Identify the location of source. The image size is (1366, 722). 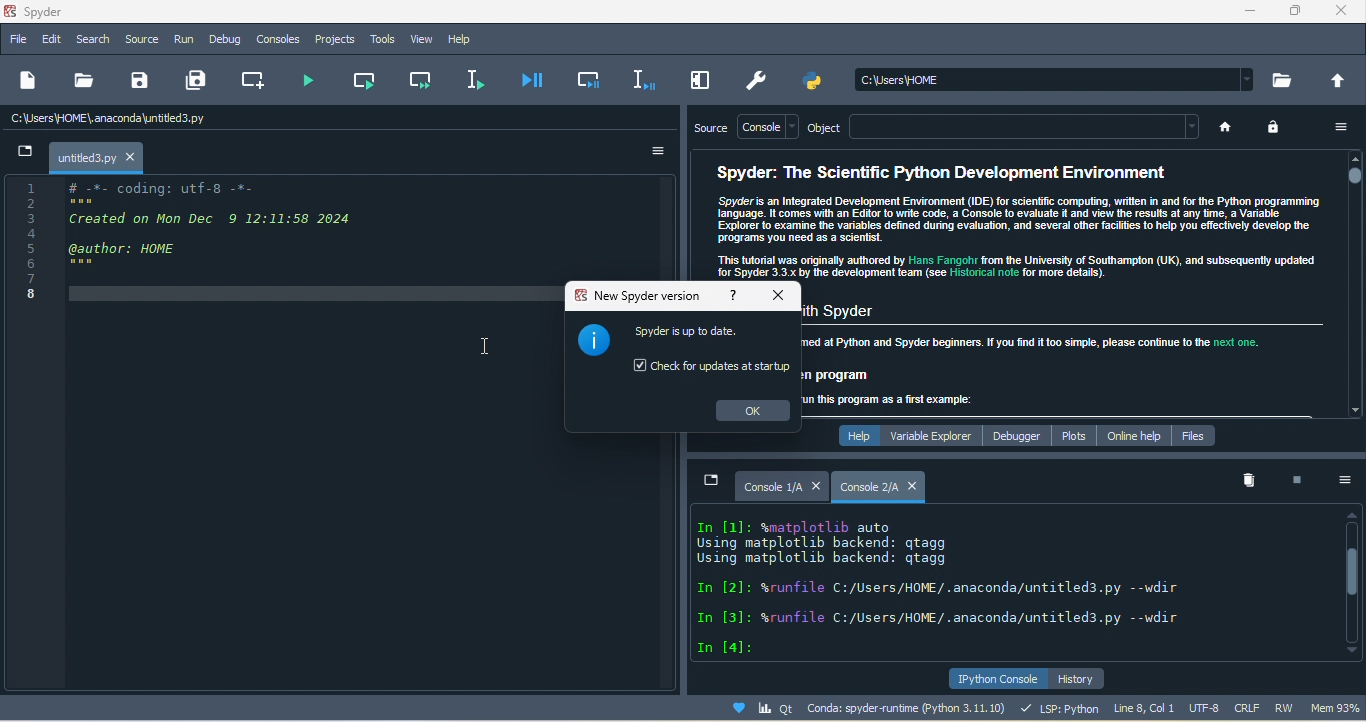
(142, 37).